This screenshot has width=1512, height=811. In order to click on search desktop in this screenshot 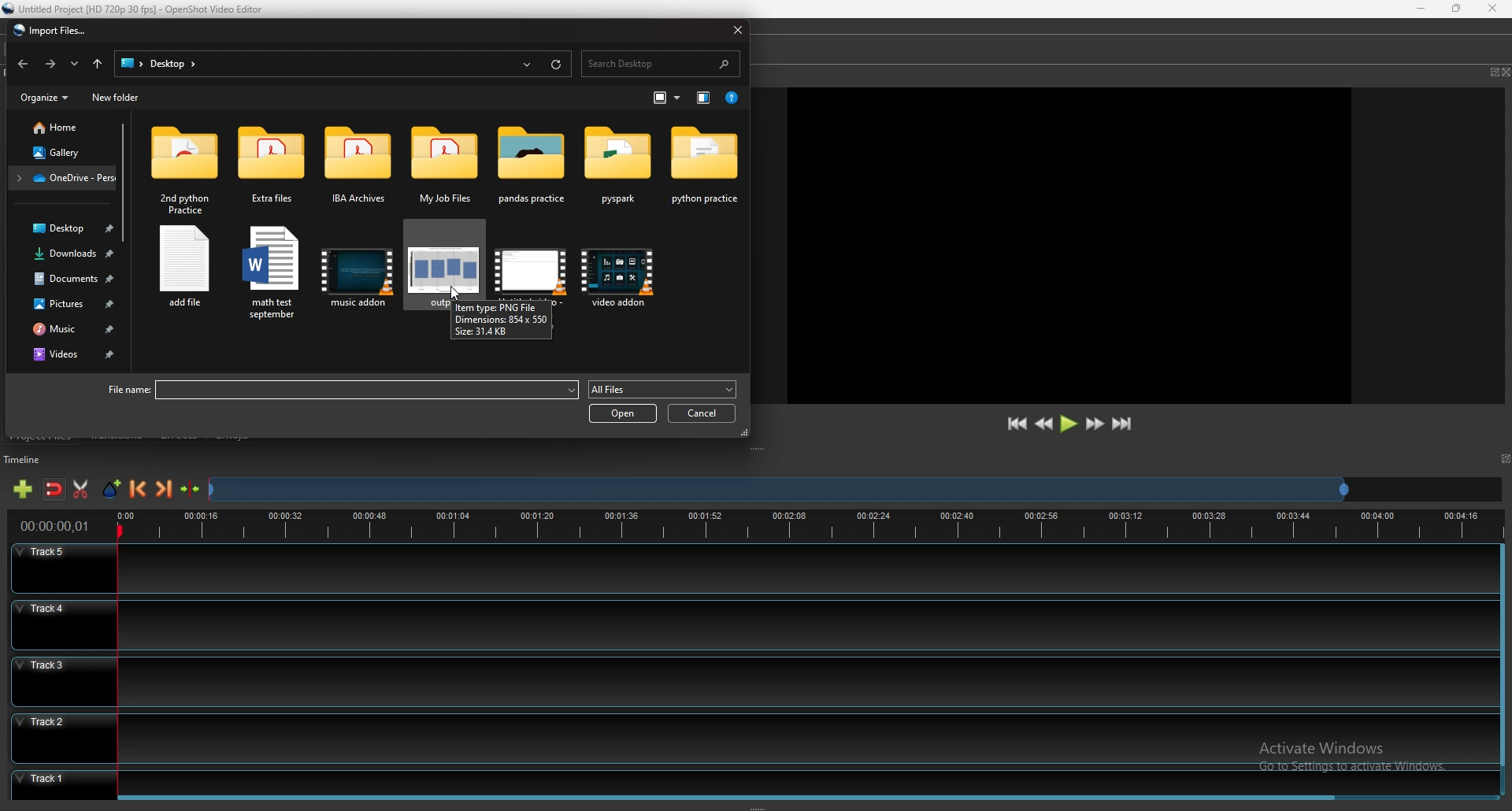, I will do `click(661, 65)`.